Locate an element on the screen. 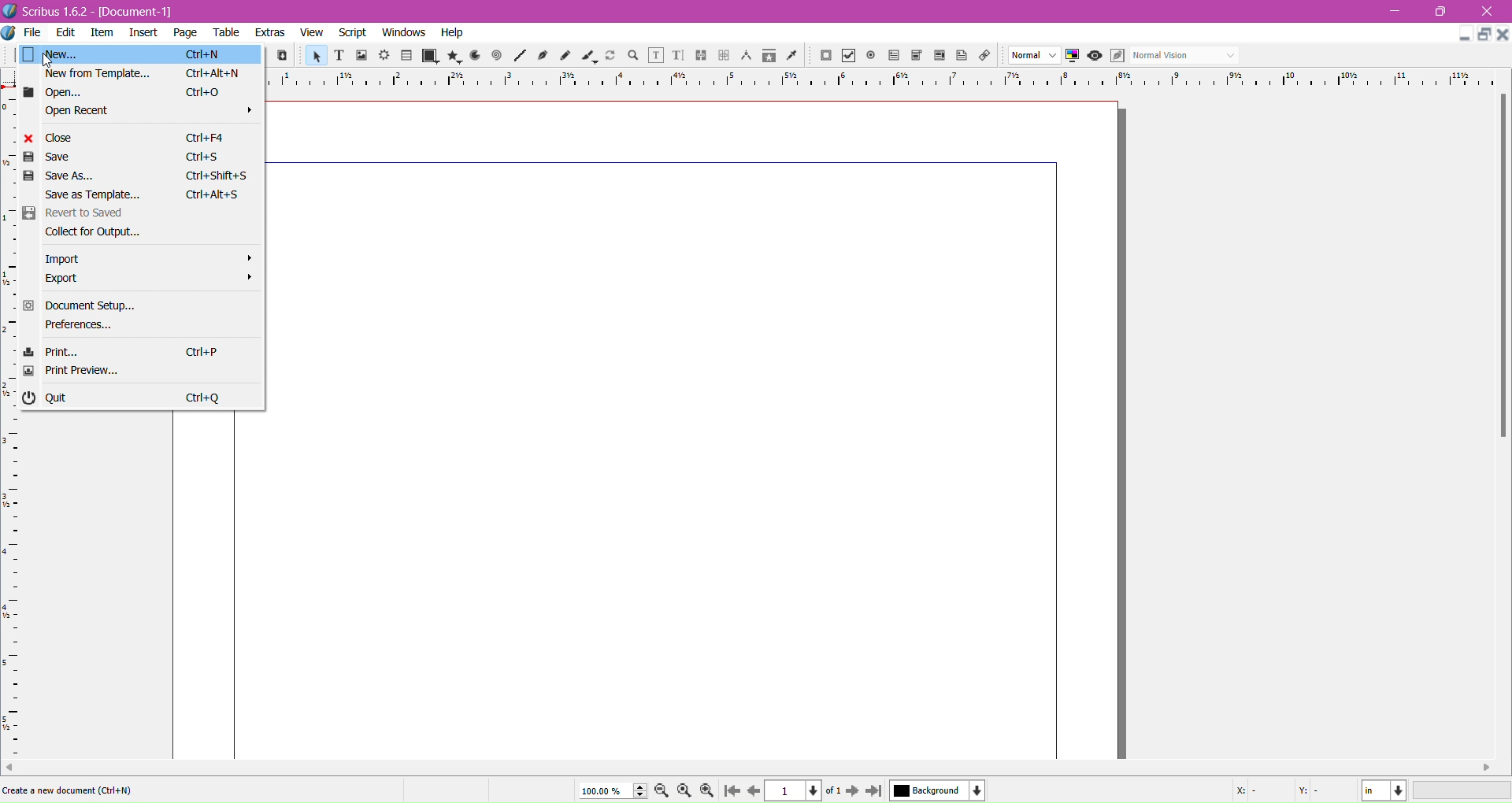  icon is located at coordinates (984, 56).